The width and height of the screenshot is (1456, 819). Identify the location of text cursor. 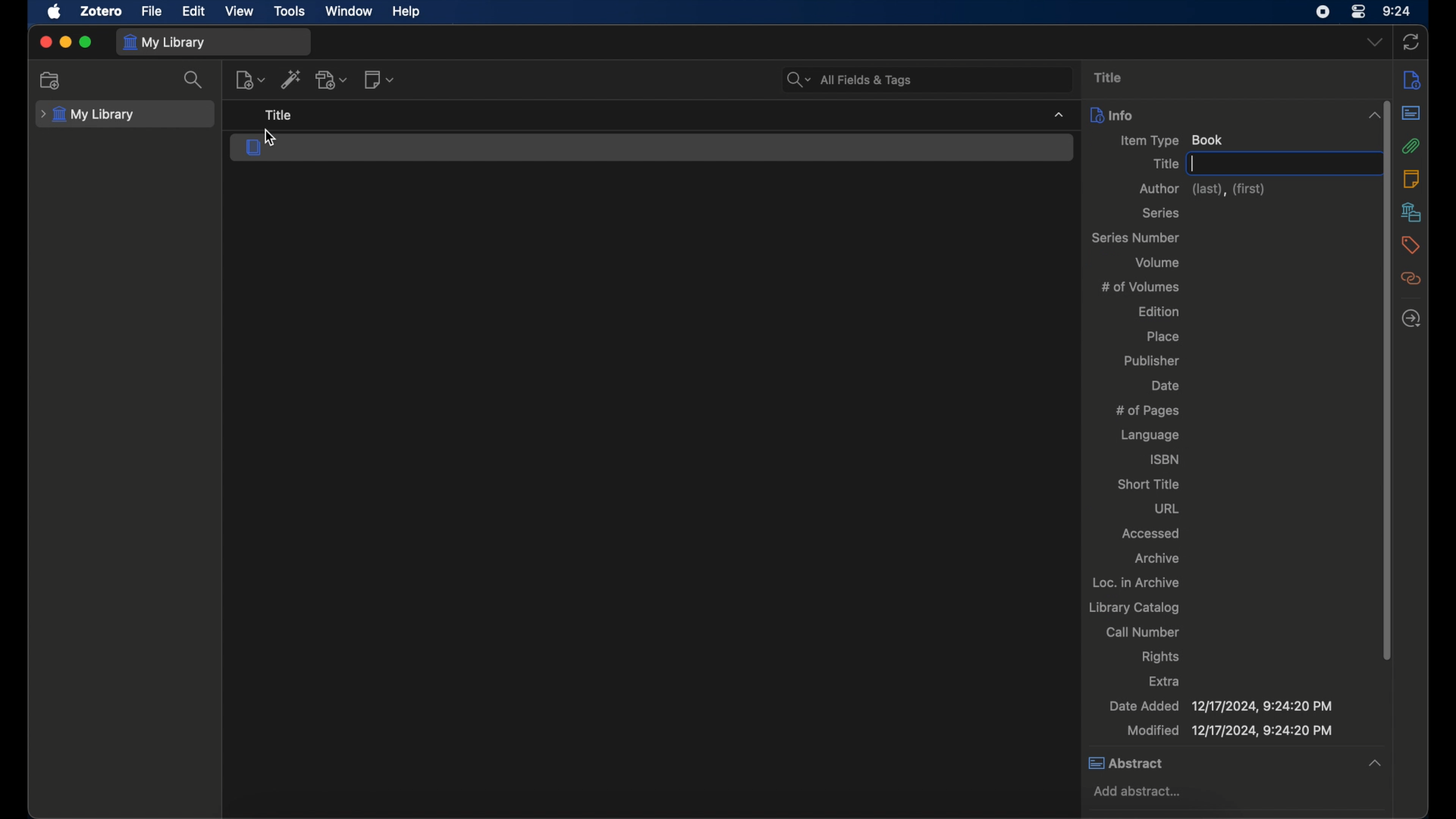
(1195, 162).